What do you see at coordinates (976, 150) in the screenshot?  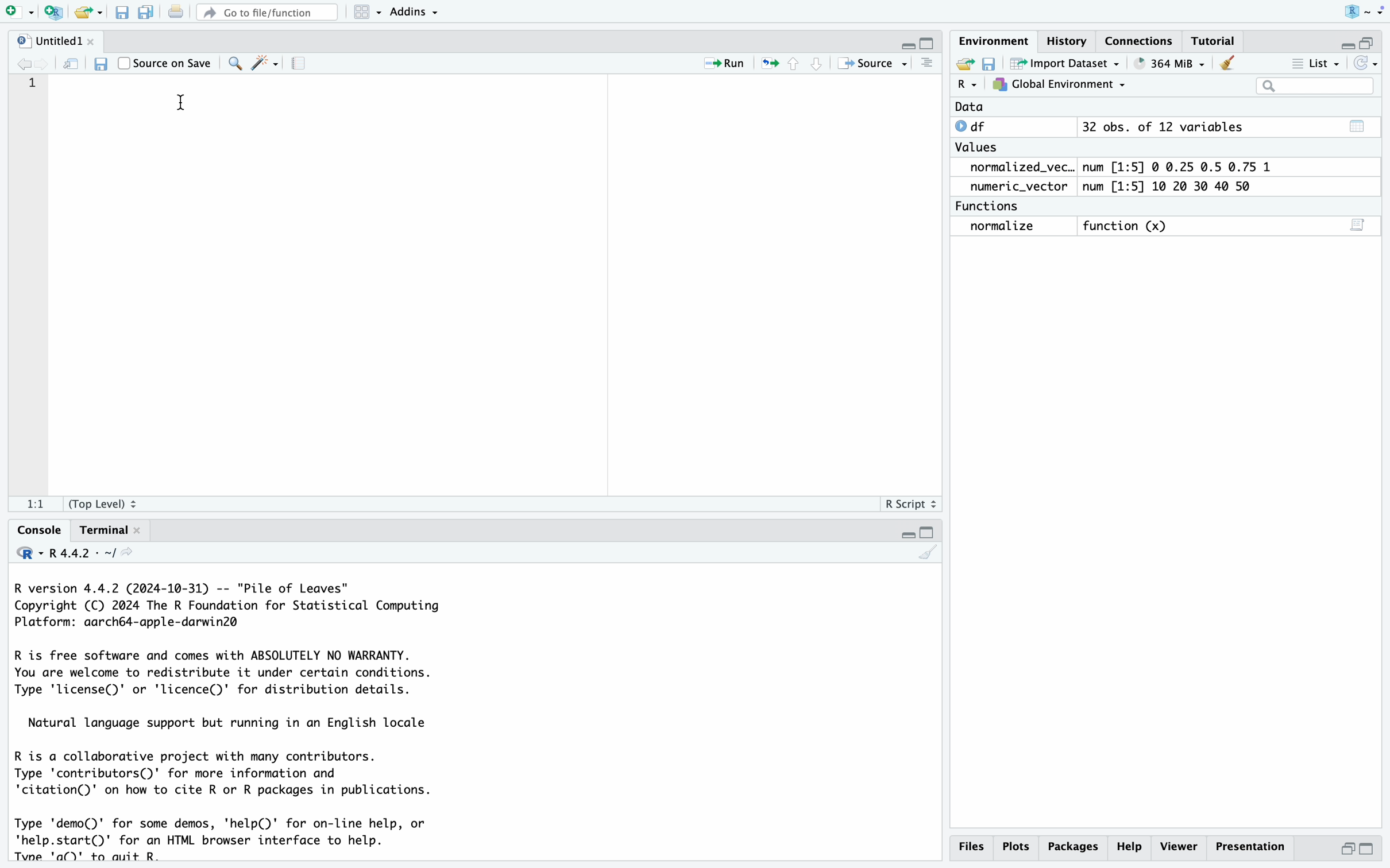 I see `Values` at bounding box center [976, 150].